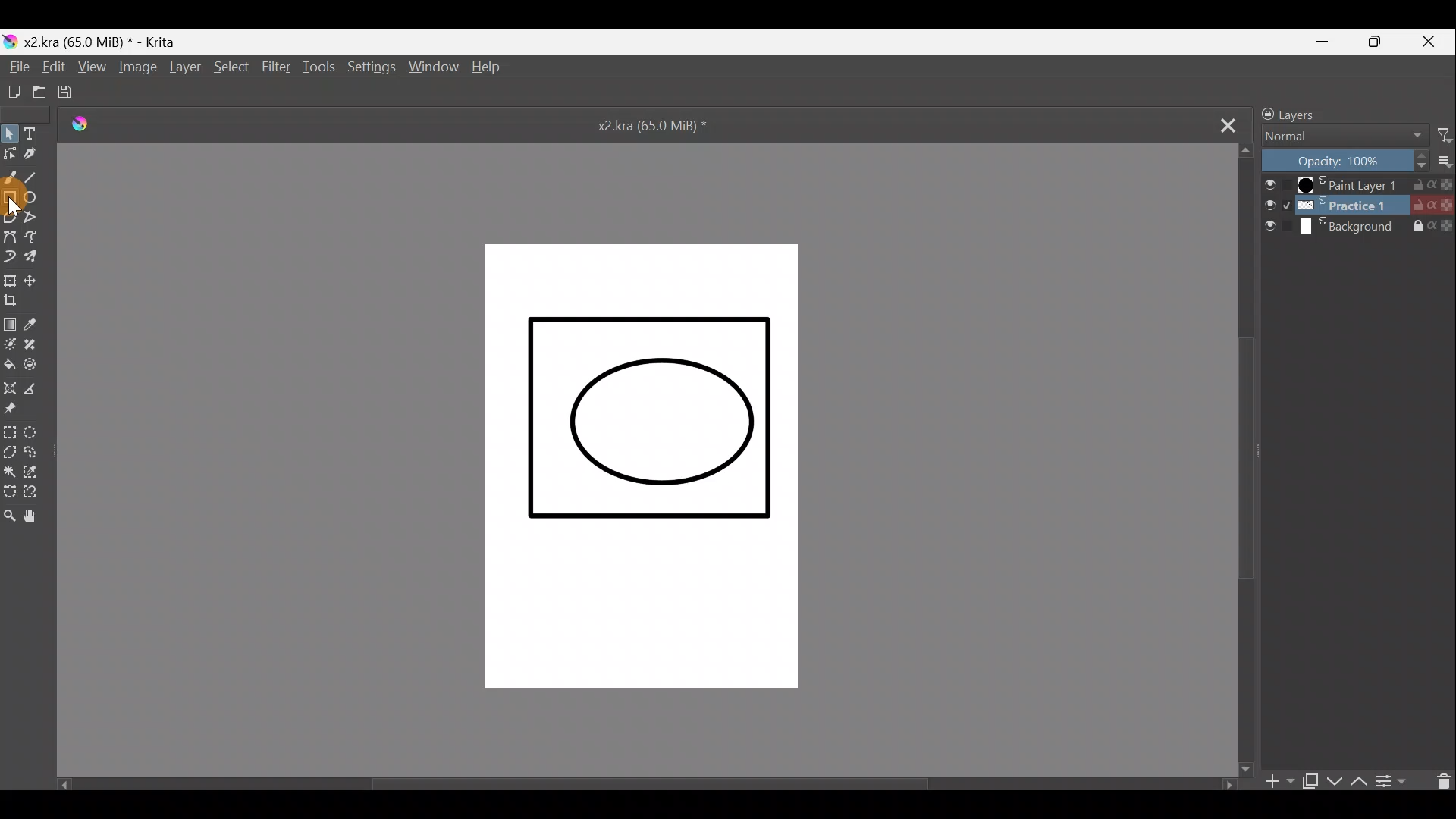 This screenshot has width=1456, height=819. I want to click on Polygon tool, so click(9, 217).